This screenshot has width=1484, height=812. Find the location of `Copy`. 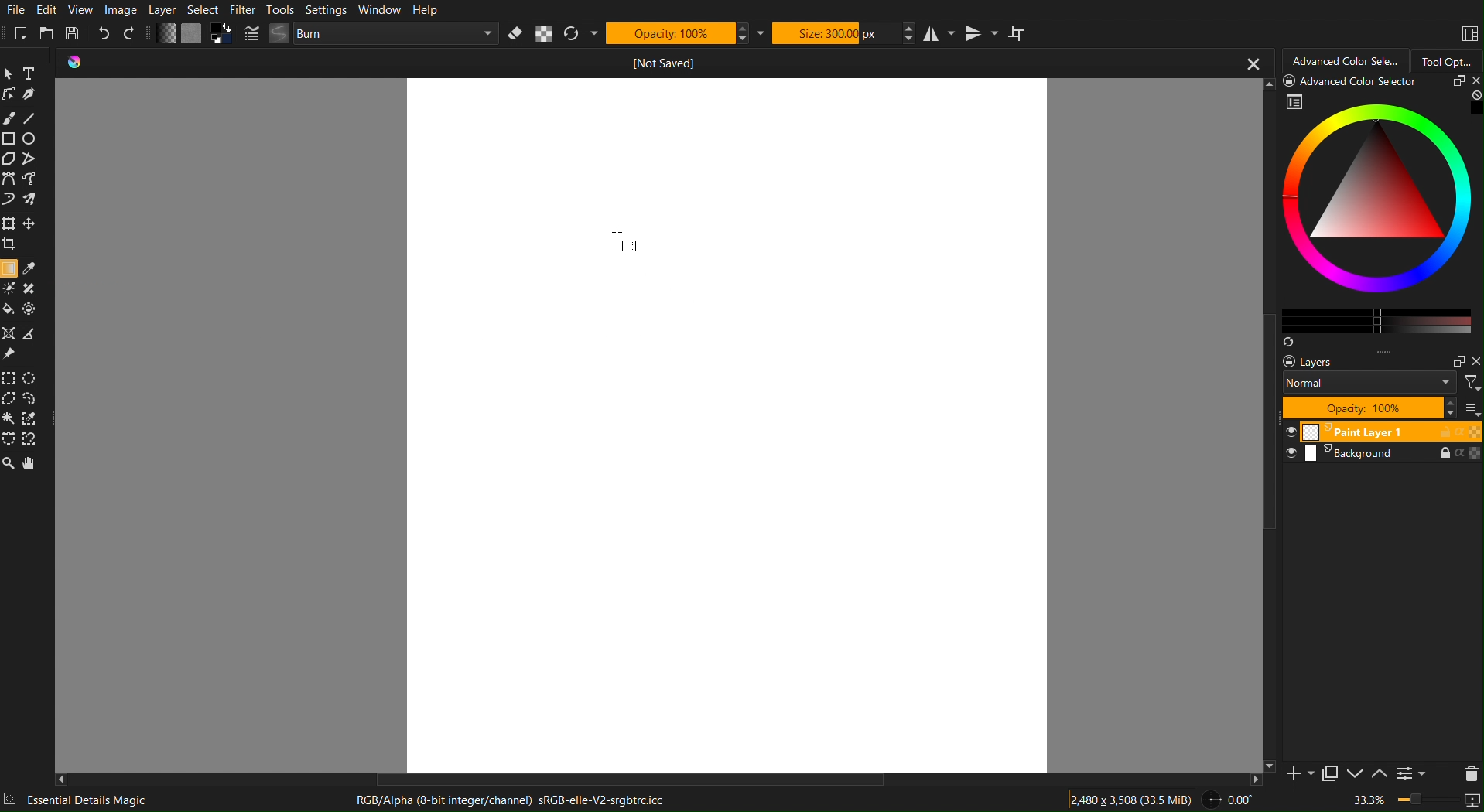

Copy is located at coordinates (1328, 776).